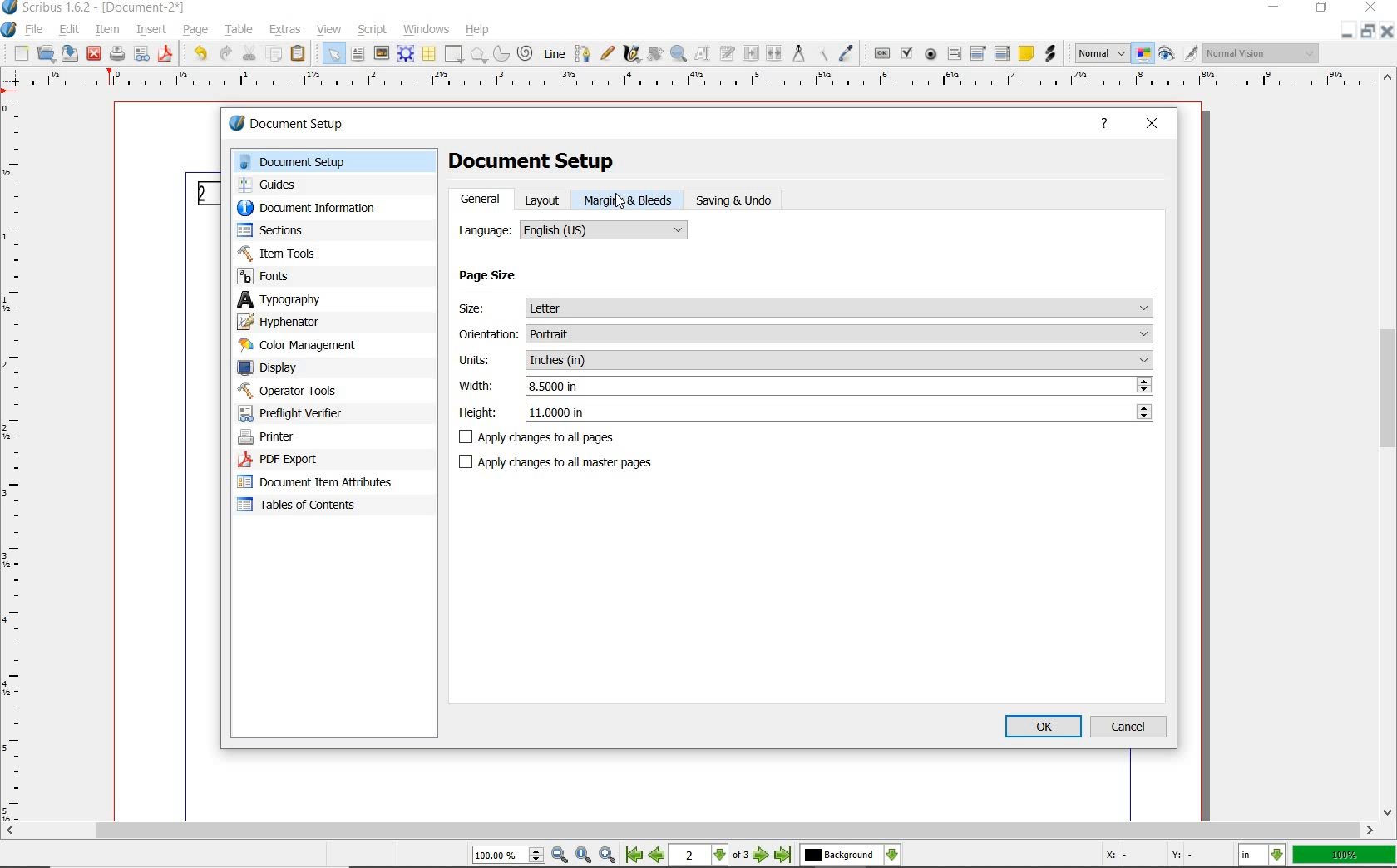  Describe the element at coordinates (1101, 53) in the screenshot. I see `select image preview mode` at that location.